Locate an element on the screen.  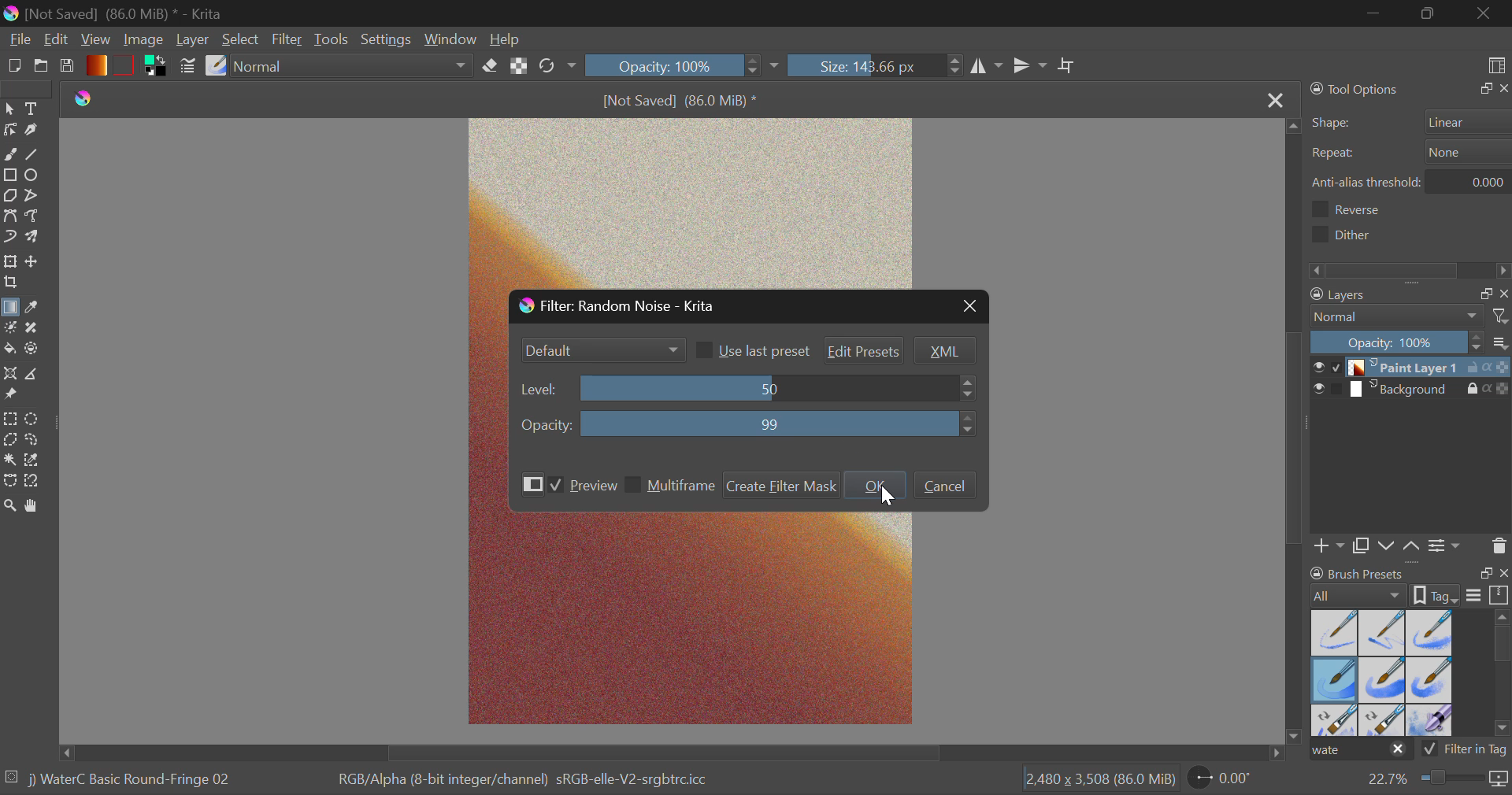
Measurements is located at coordinates (41, 374).